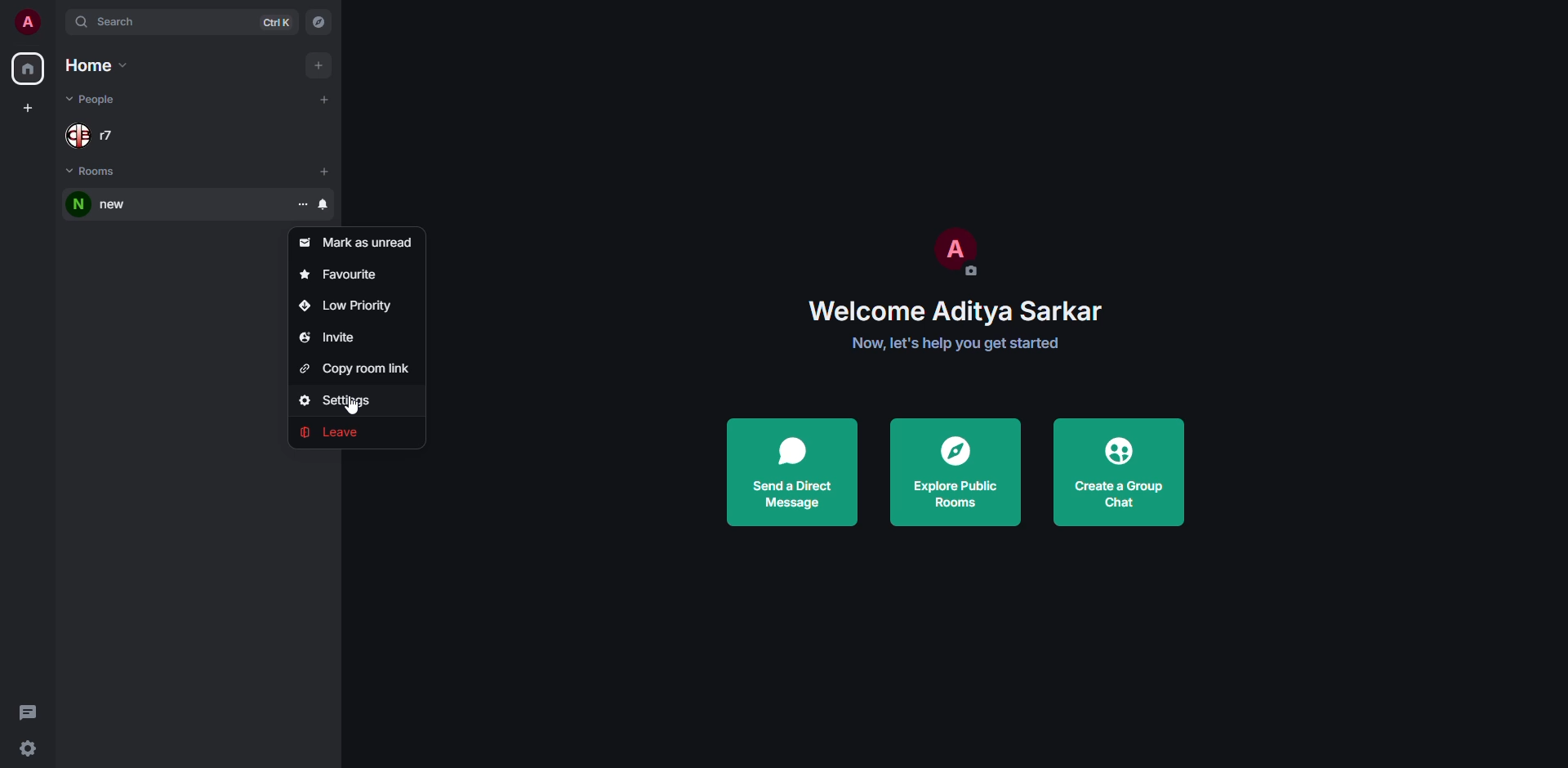 The height and width of the screenshot is (768, 1568). Describe the element at coordinates (100, 97) in the screenshot. I see `people` at that location.